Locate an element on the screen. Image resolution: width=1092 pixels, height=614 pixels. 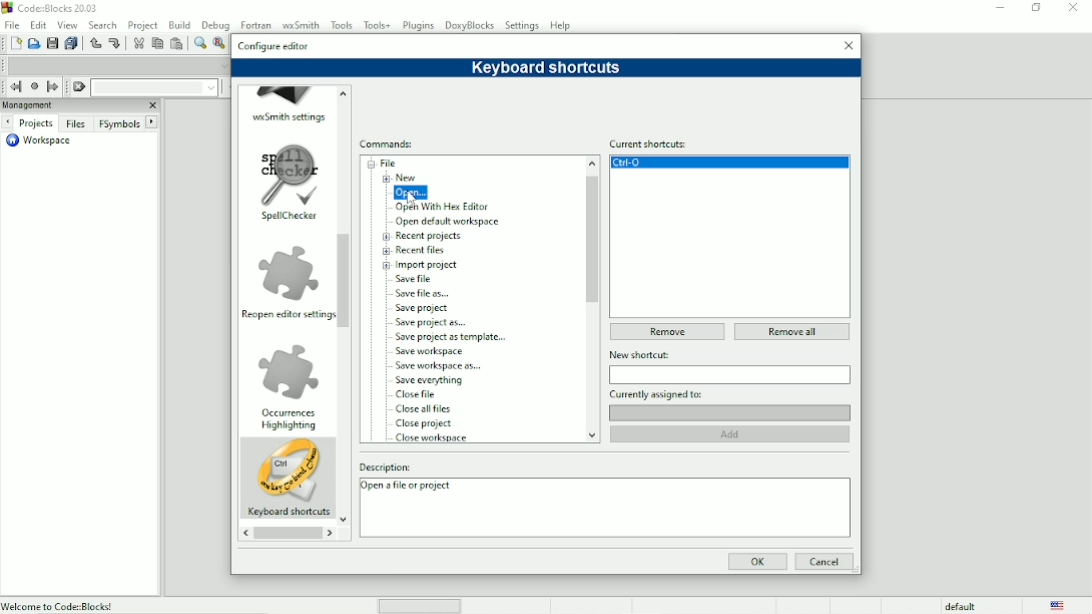
Current shortcuts is located at coordinates (729, 143).